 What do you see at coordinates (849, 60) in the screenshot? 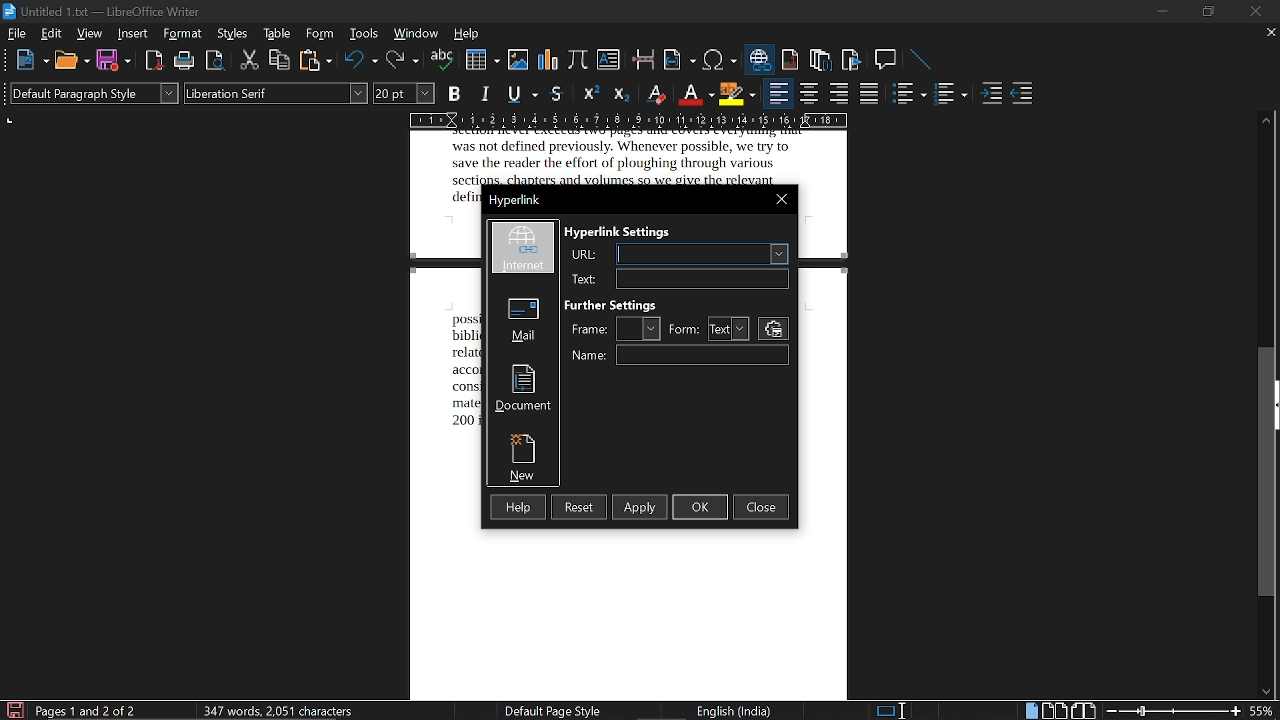
I see `insert bibliography` at bounding box center [849, 60].